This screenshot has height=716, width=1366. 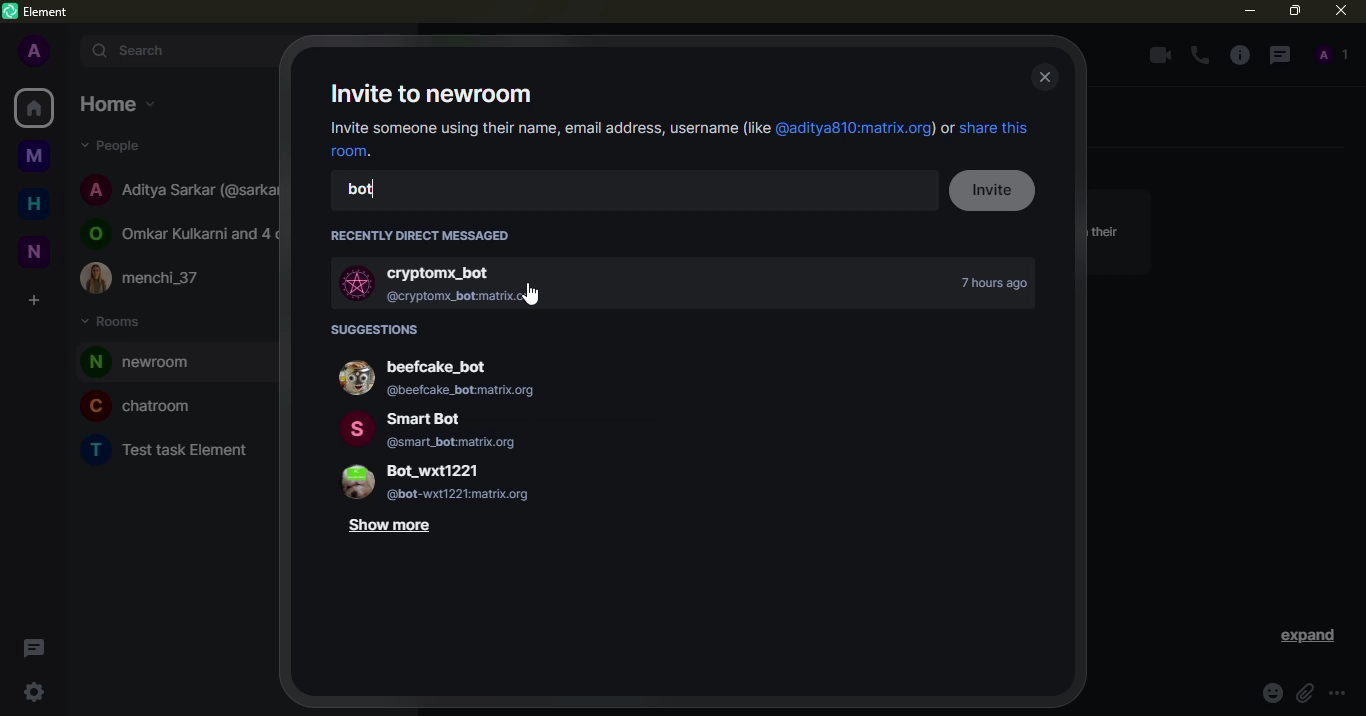 I want to click on home, so click(x=120, y=105).